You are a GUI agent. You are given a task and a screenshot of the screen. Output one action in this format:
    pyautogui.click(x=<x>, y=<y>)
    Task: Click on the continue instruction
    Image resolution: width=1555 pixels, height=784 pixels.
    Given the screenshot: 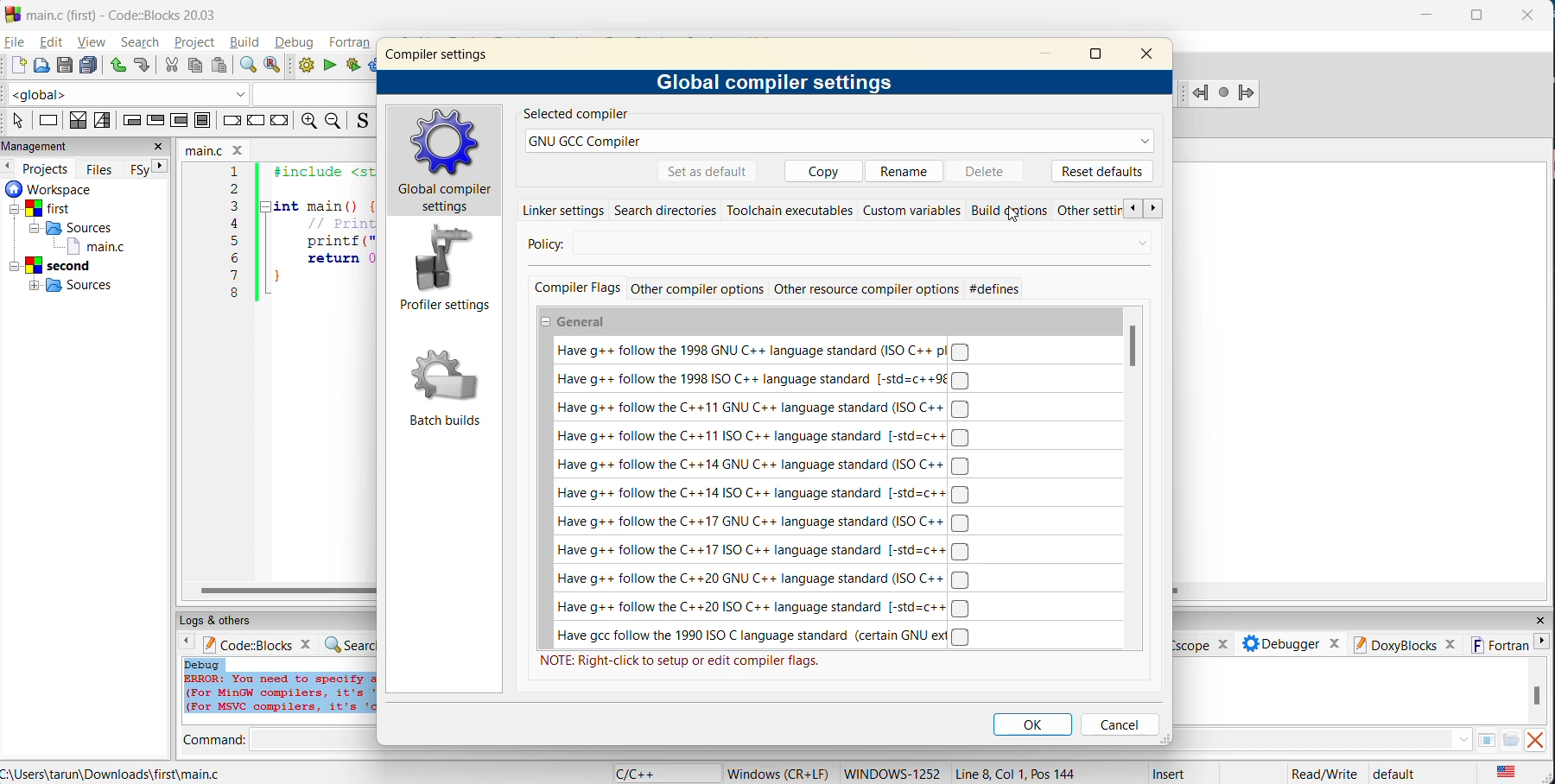 What is the action you would take?
    pyautogui.click(x=254, y=121)
    